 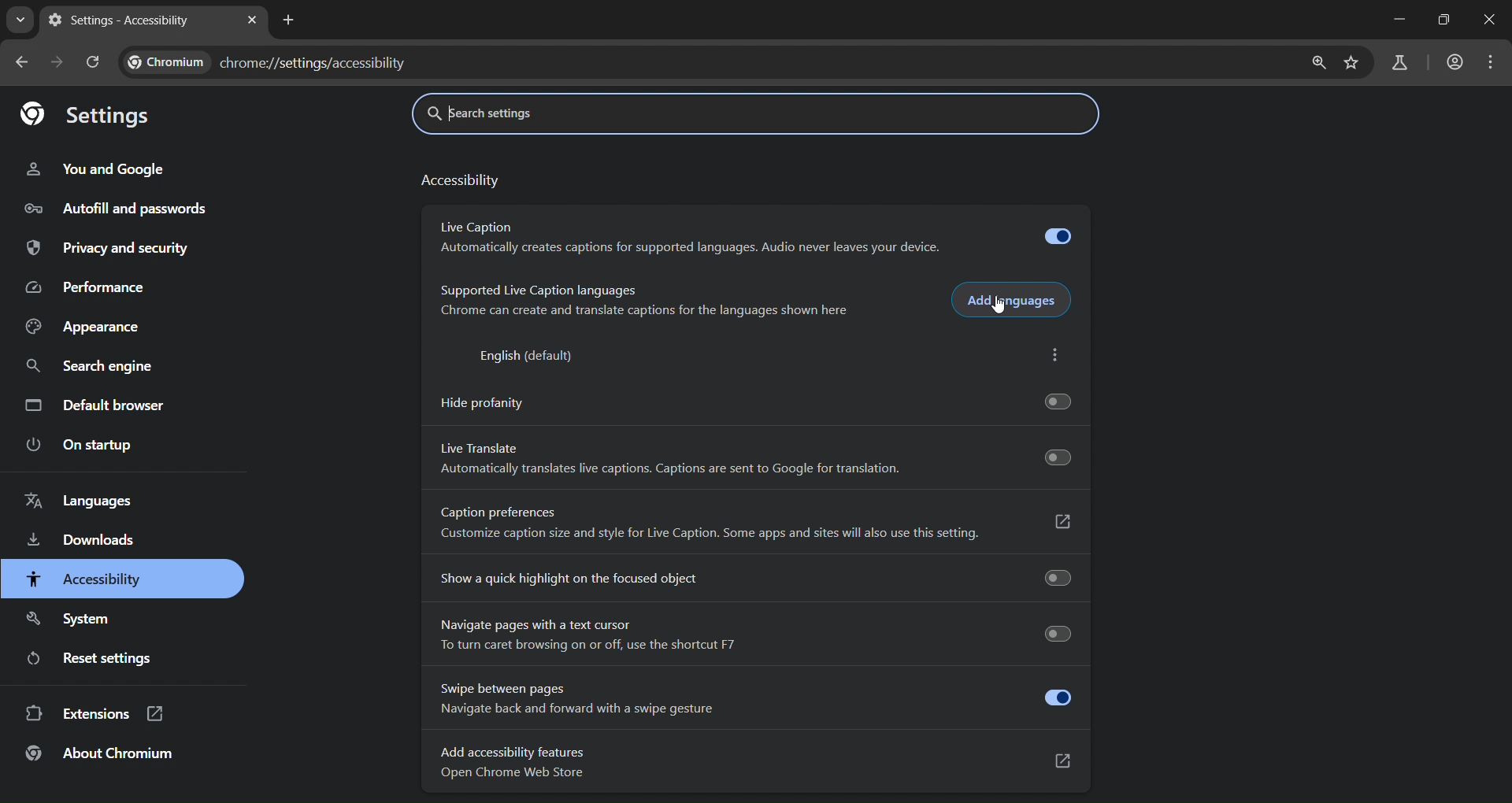 I want to click on Navigate pages with a text cursor ®
To turn caret browsing on or off, use the shortcut F7 -, so click(x=755, y=633).